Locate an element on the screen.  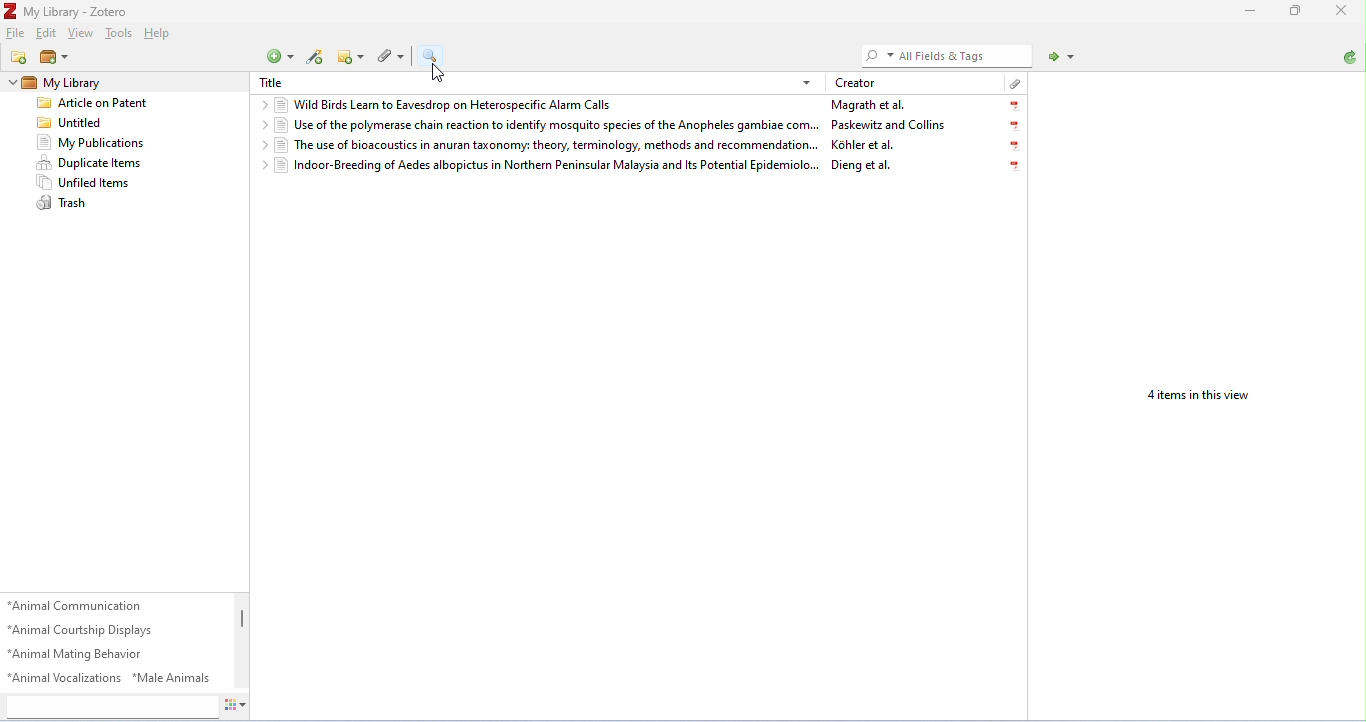
Indoor-Breeding of Aedes albopictus in Northern Peninsular Malaysia and Its Potential Epidemiological Implications is located at coordinates (548, 165).